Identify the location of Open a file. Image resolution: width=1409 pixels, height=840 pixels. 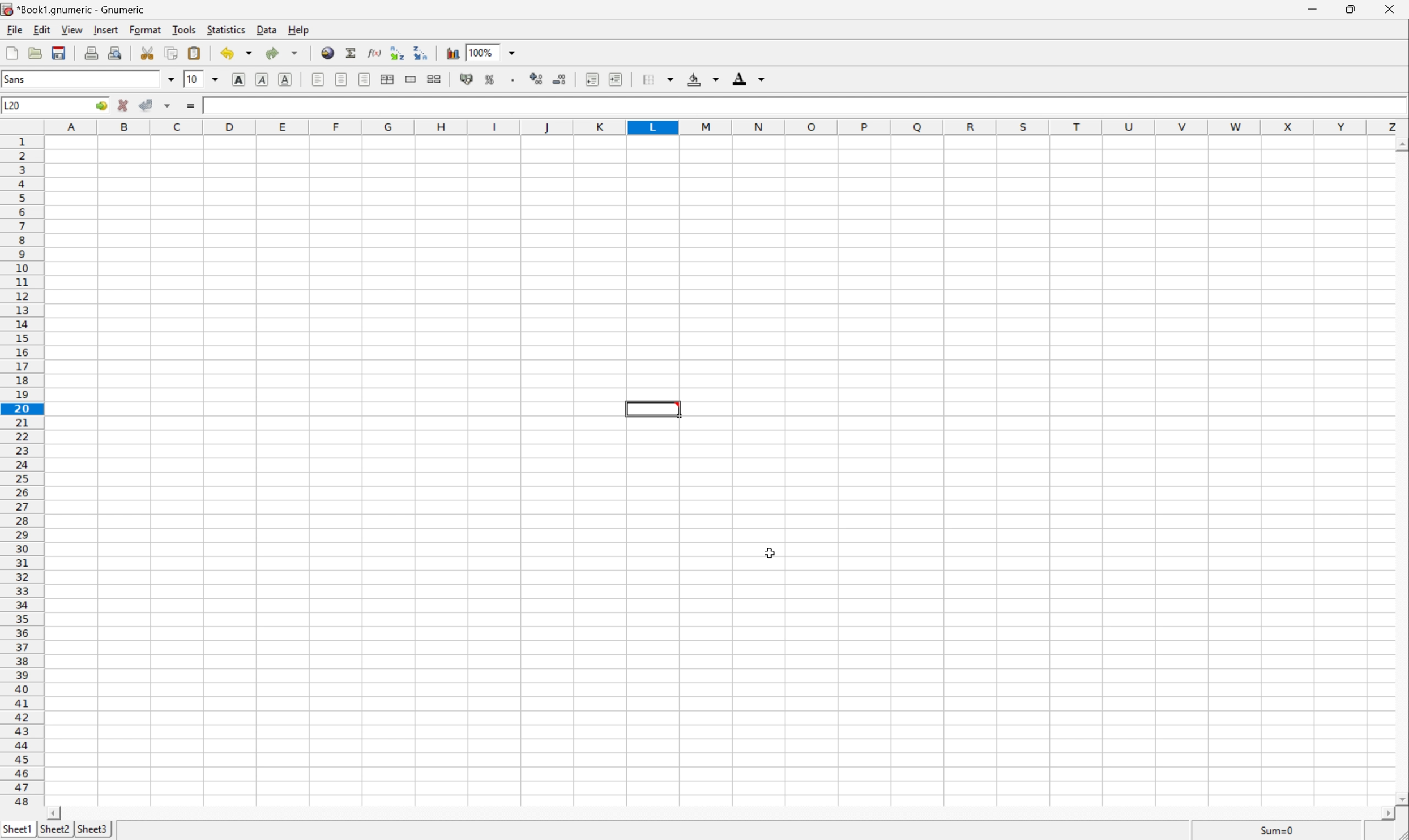
(35, 53).